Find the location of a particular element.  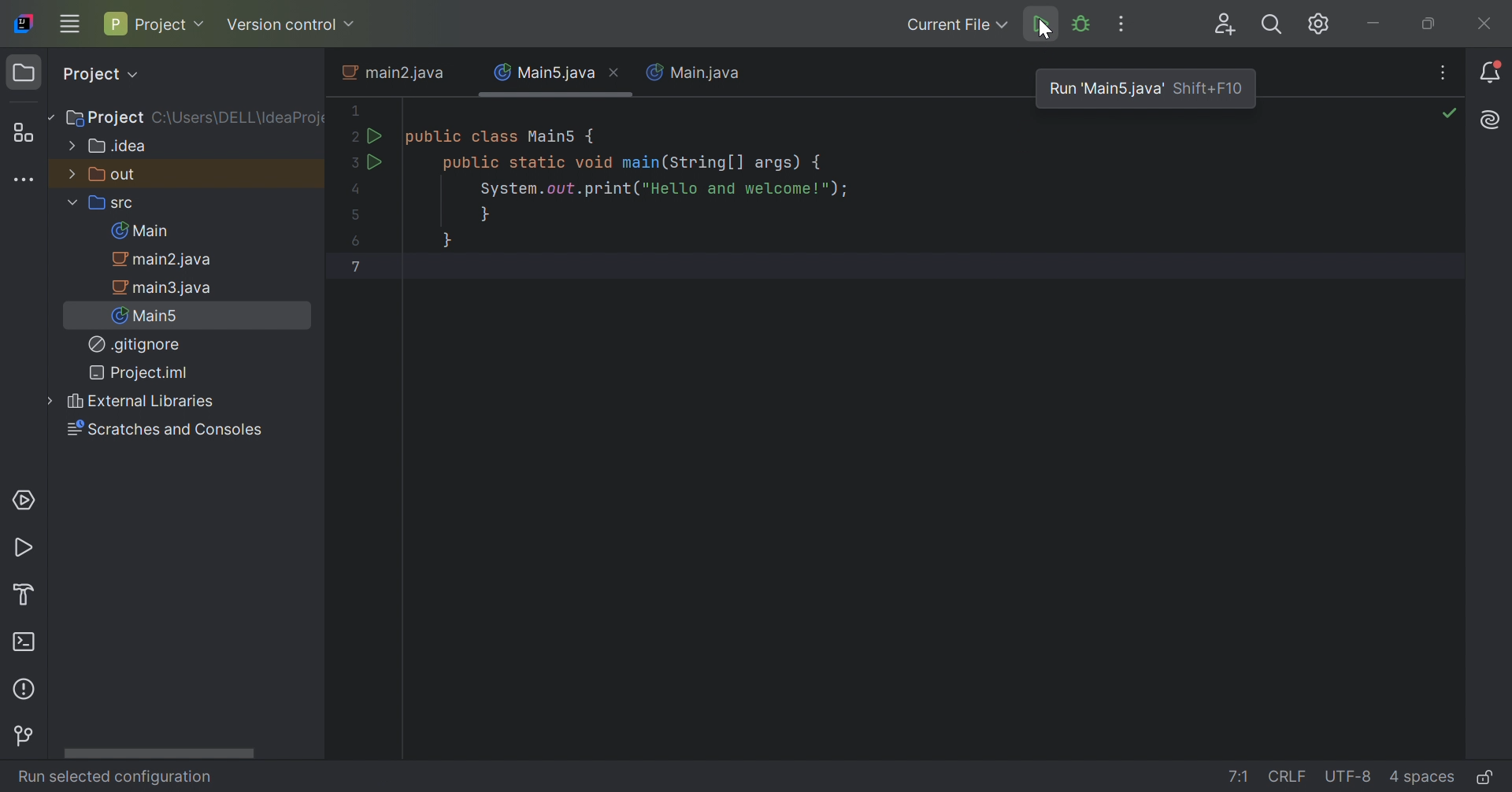

Restore Down is located at coordinates (1426, 25).